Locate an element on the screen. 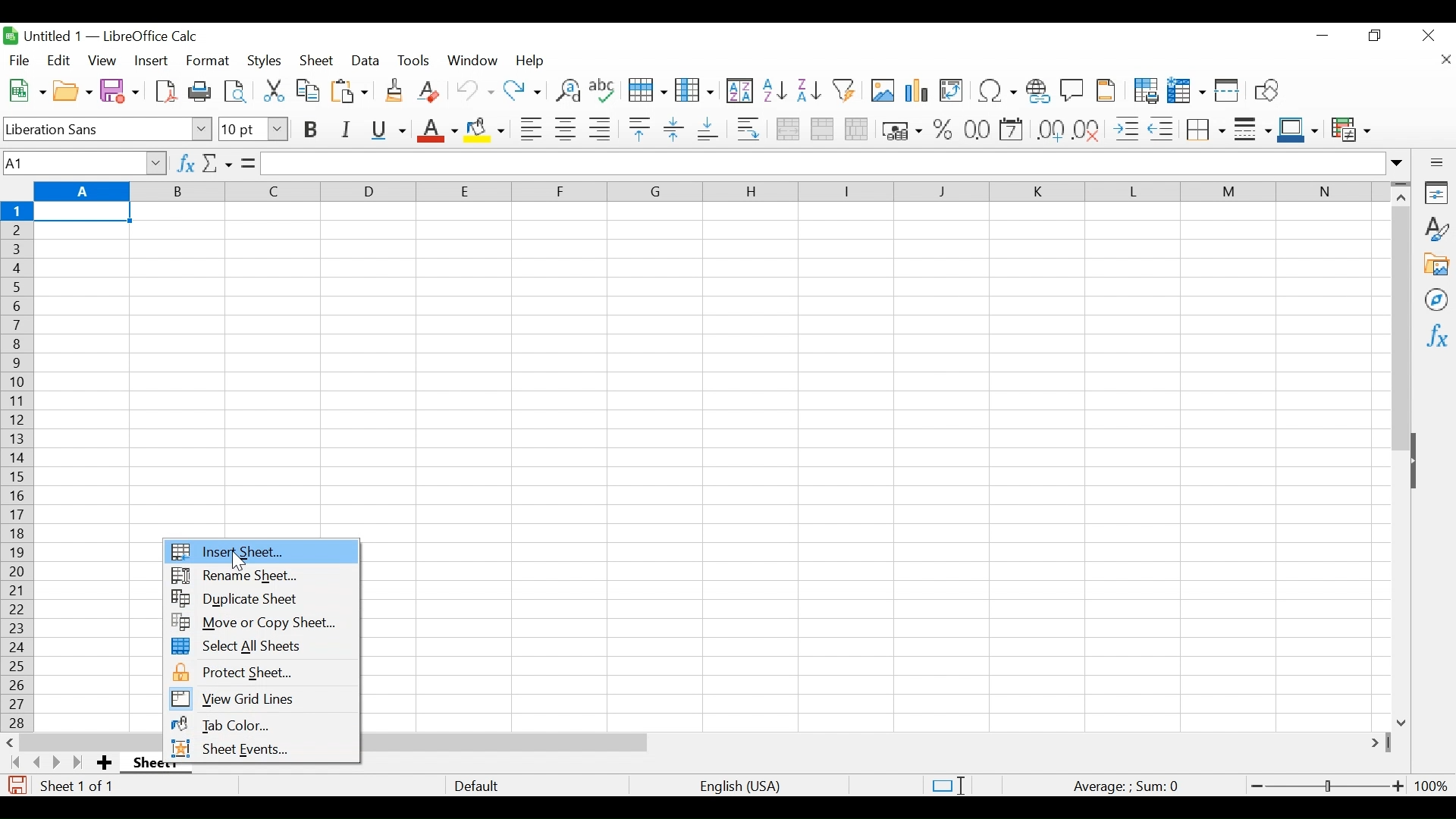  Center Vertically is located at coordinates (673, 130).